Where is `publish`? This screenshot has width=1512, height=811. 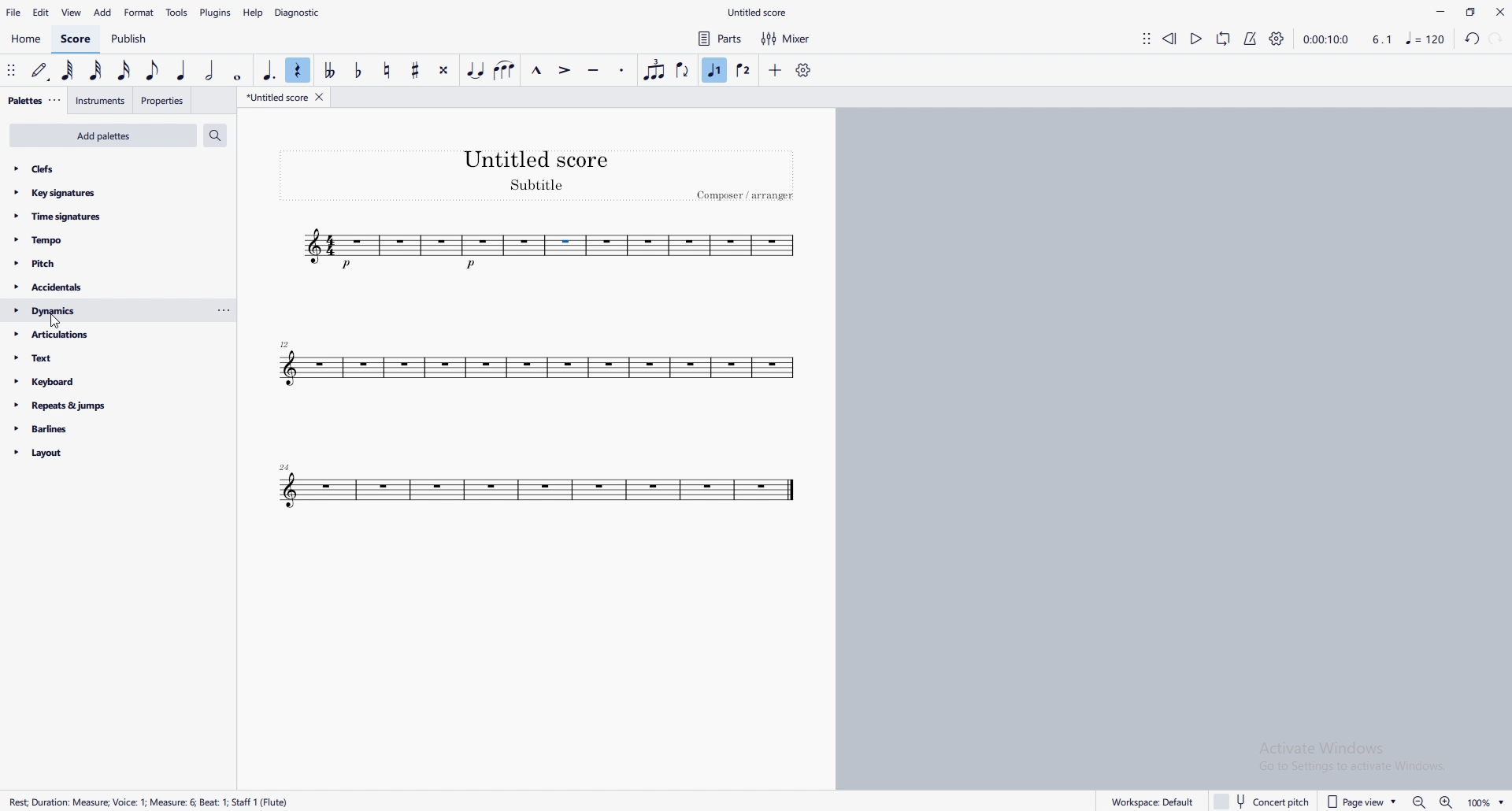
publish is located at coordinates (128, 39).